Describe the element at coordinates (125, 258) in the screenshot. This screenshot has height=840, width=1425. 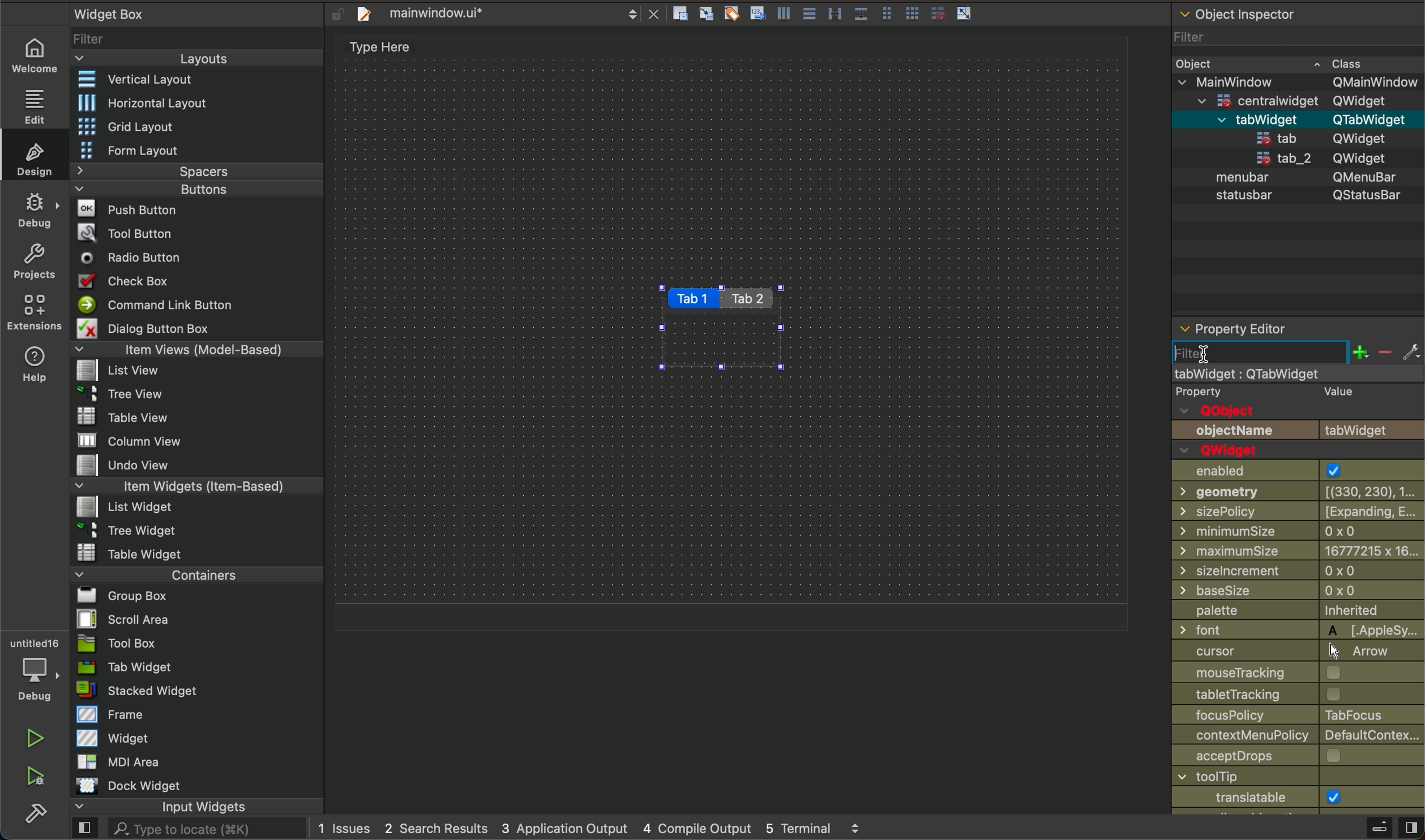
I see ` Radio Button` at that location.